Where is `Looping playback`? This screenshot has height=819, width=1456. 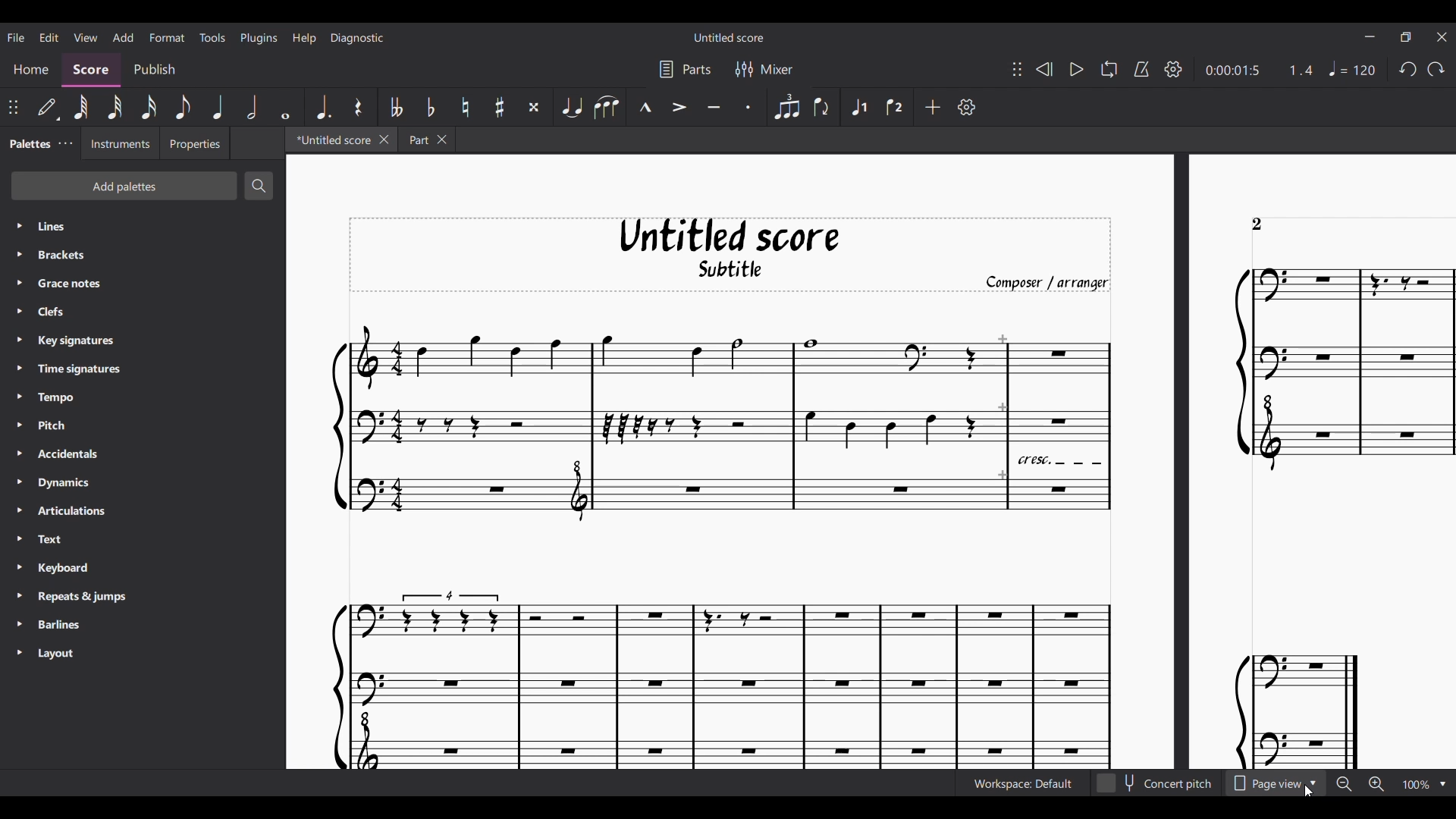 Looping playback is located at coordinates (1108, 69).